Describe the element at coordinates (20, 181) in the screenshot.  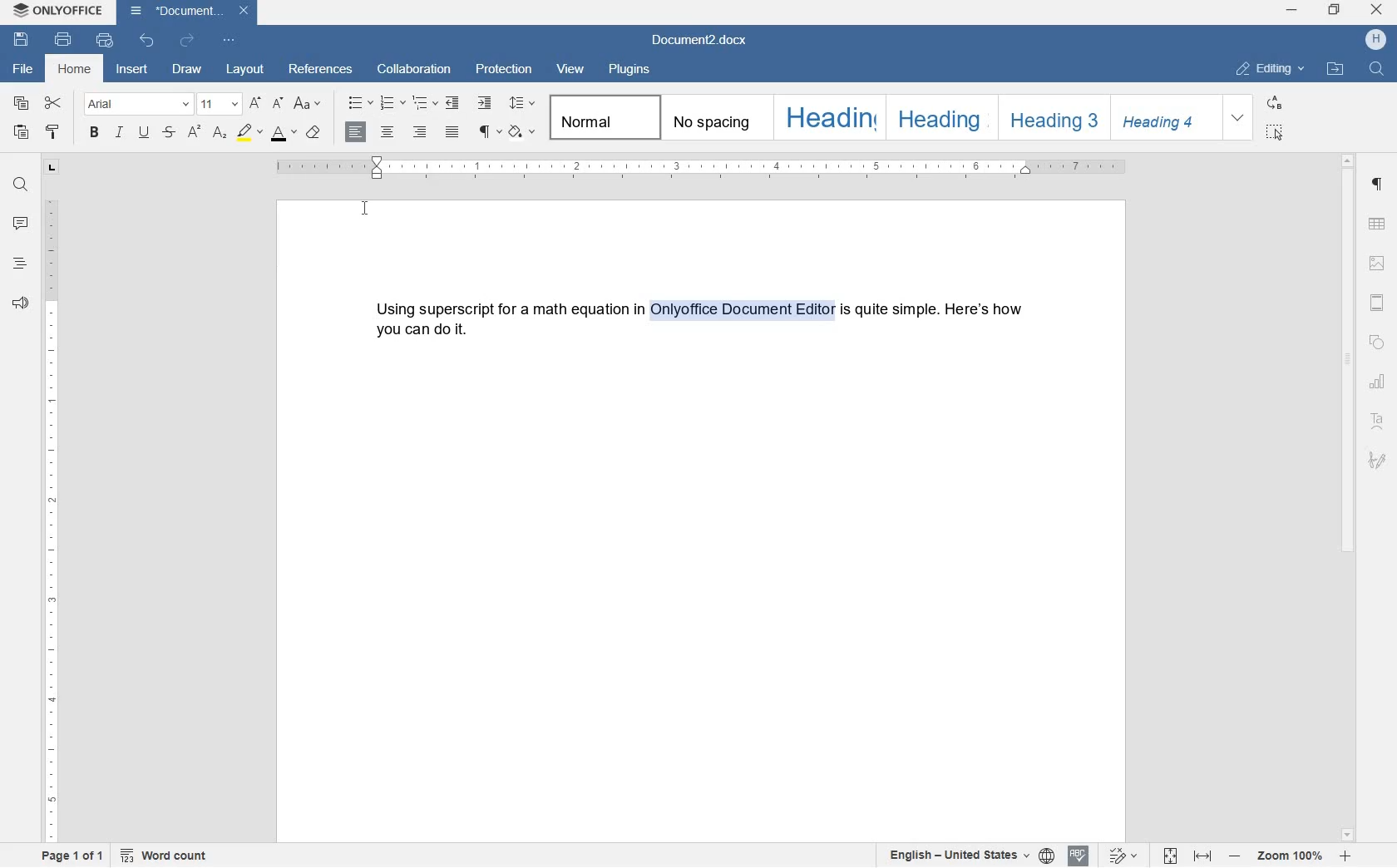
I see `find` at that location.